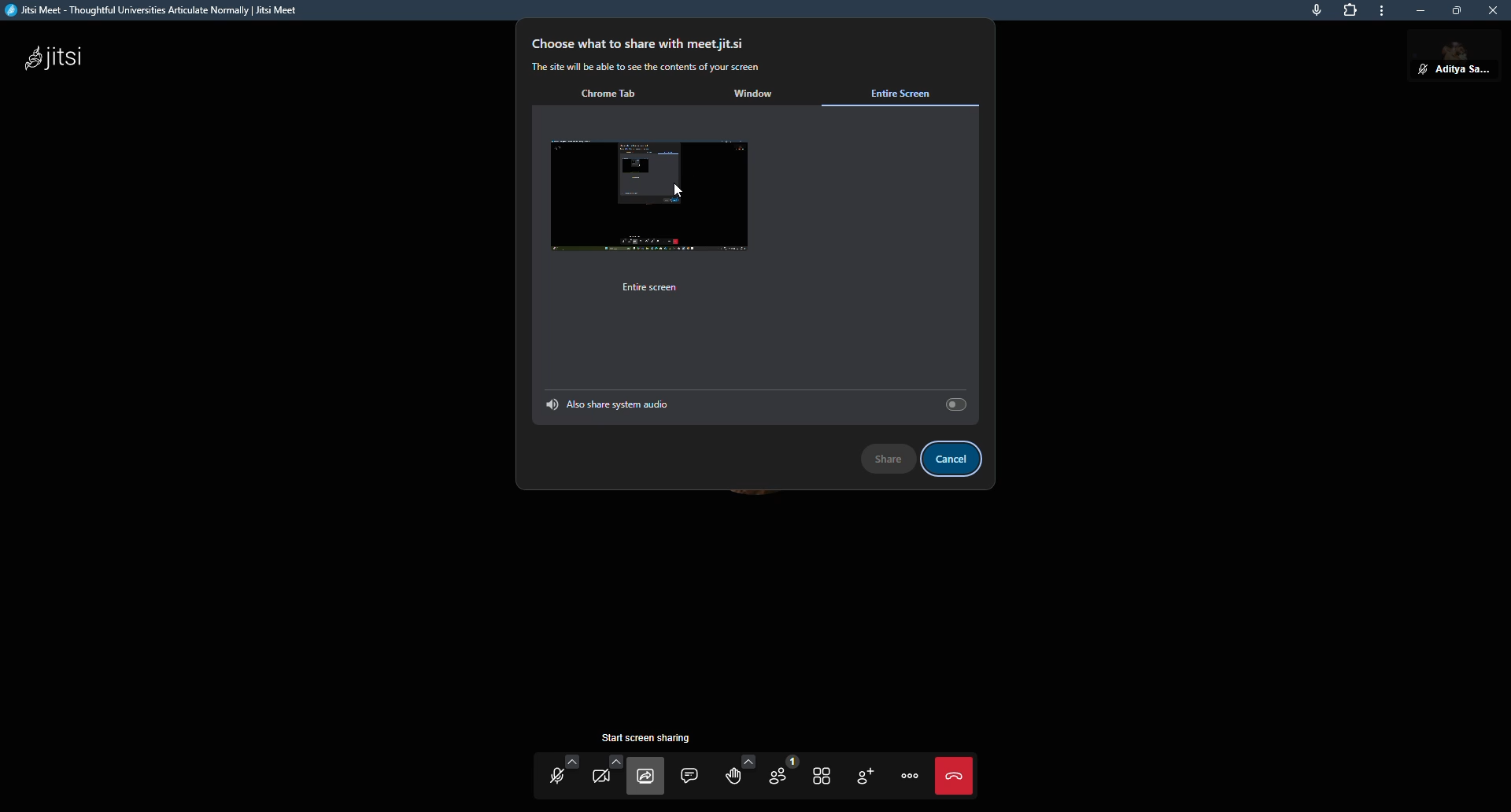 This screenshot has height=812, width=1511. What do you see at coordinates (881, 171) in the screenshot?
I see `select a tab to share` at bounding box center [881, 171].